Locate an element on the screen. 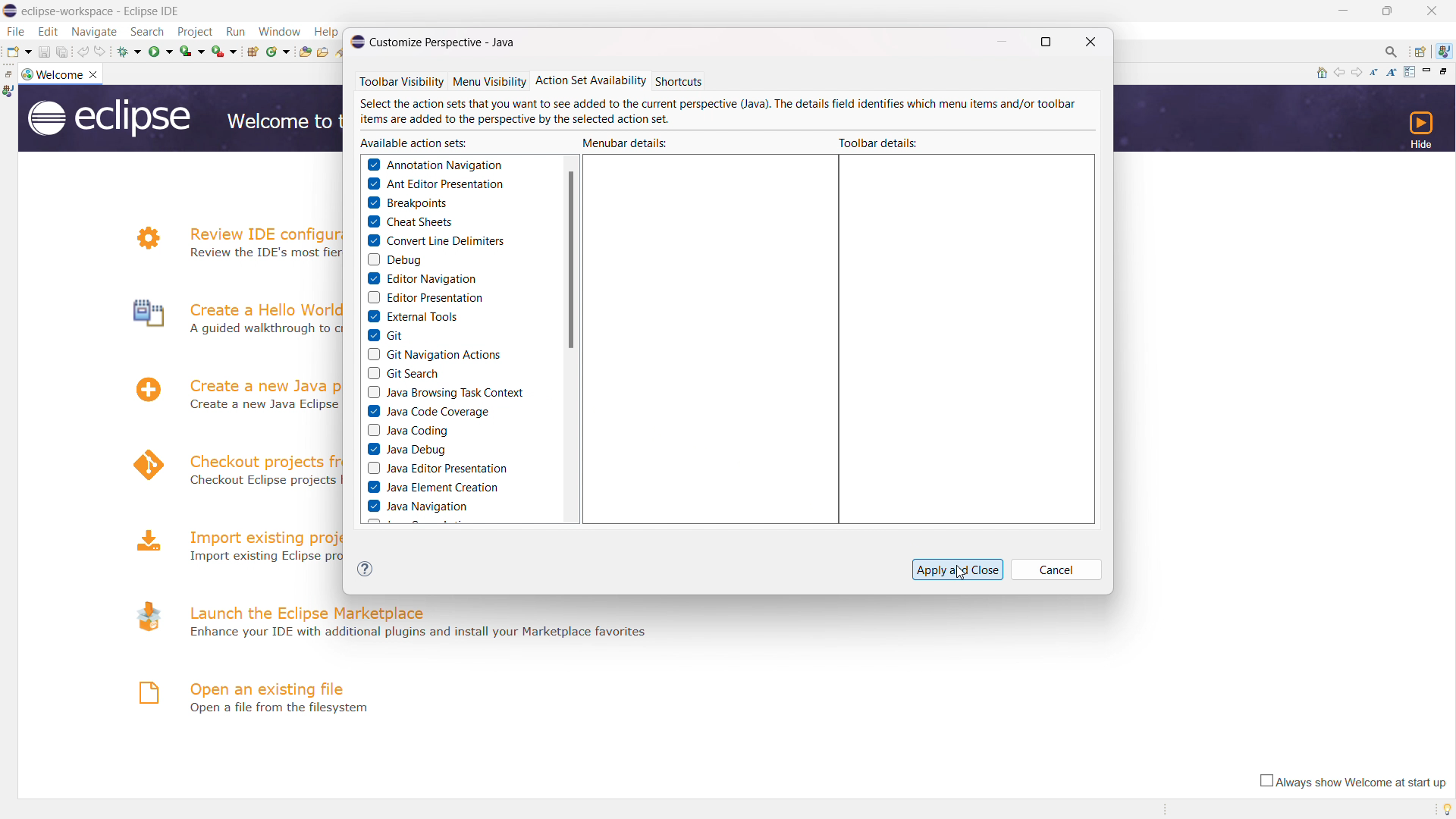 Image resolution: width=1456 pixels, height=819 pixels. hide is located at coordinates (1419, 129).